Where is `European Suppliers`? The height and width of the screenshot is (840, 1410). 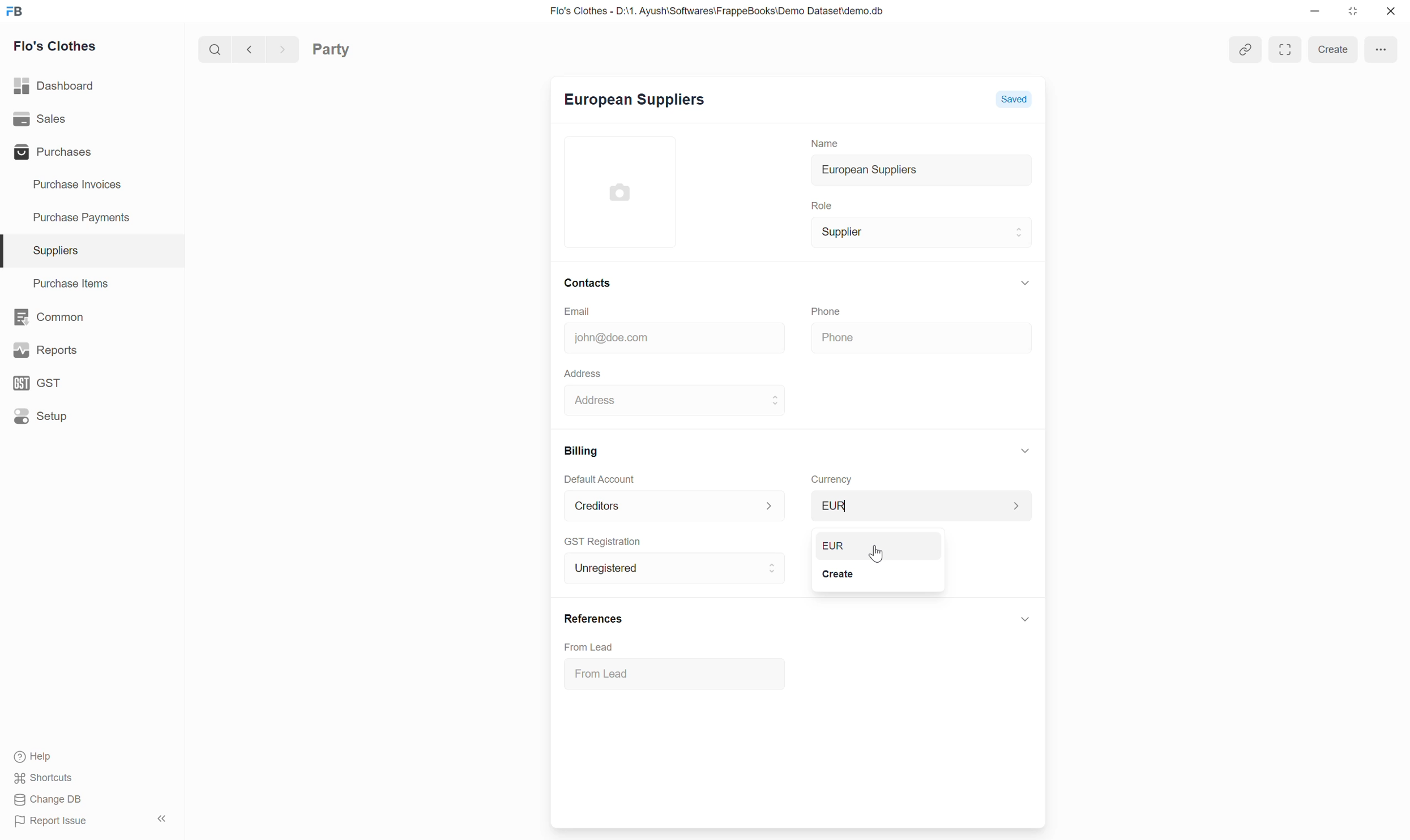
European Suppliers is located at coordinates (860, 169).